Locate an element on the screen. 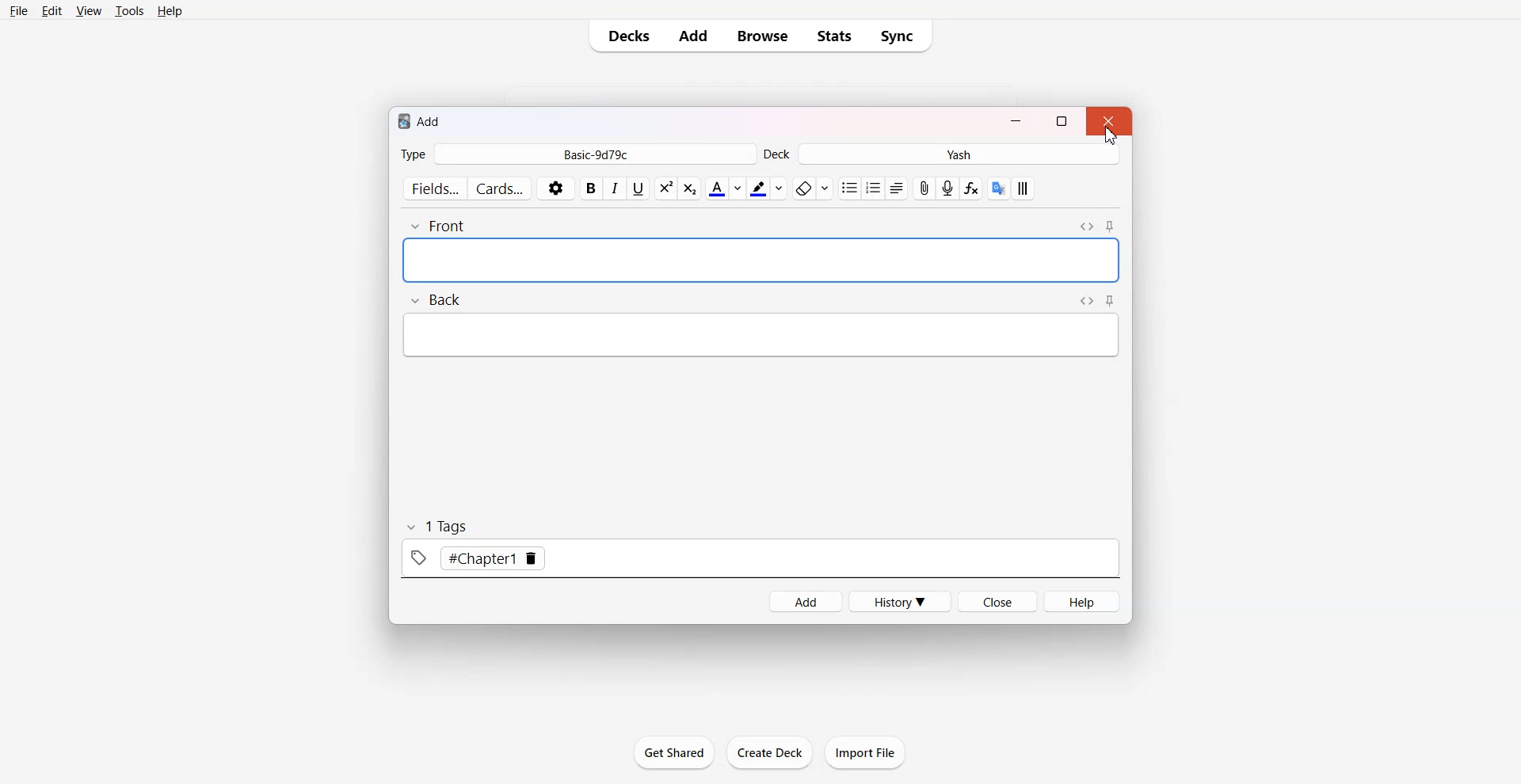  Highlight Text Color is located at coordinates (767, 188).